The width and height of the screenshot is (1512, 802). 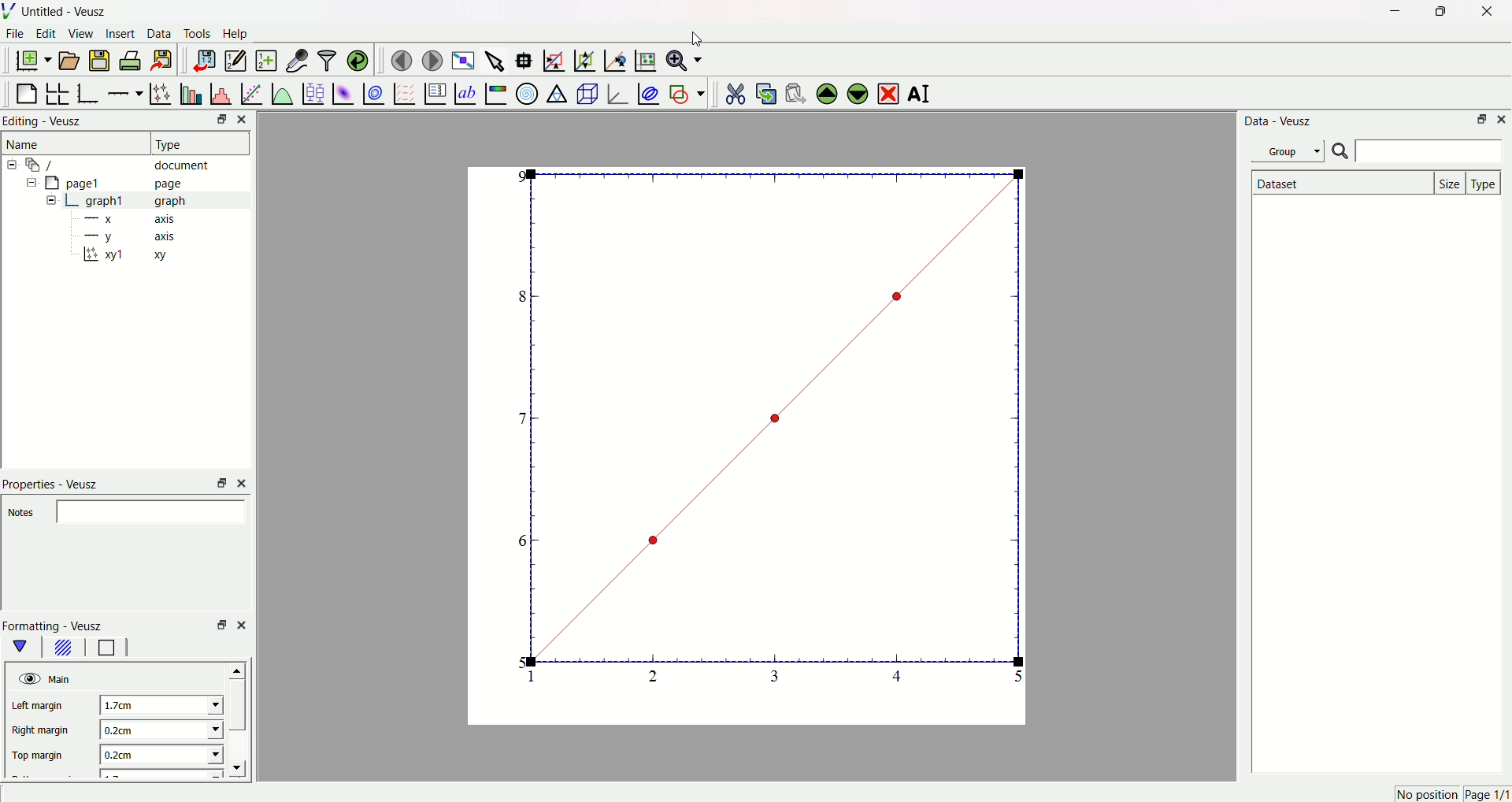 What do you see at coordinates (220, 91) in the screenshot?
I see `histogram` at bounding box center [220, 91].